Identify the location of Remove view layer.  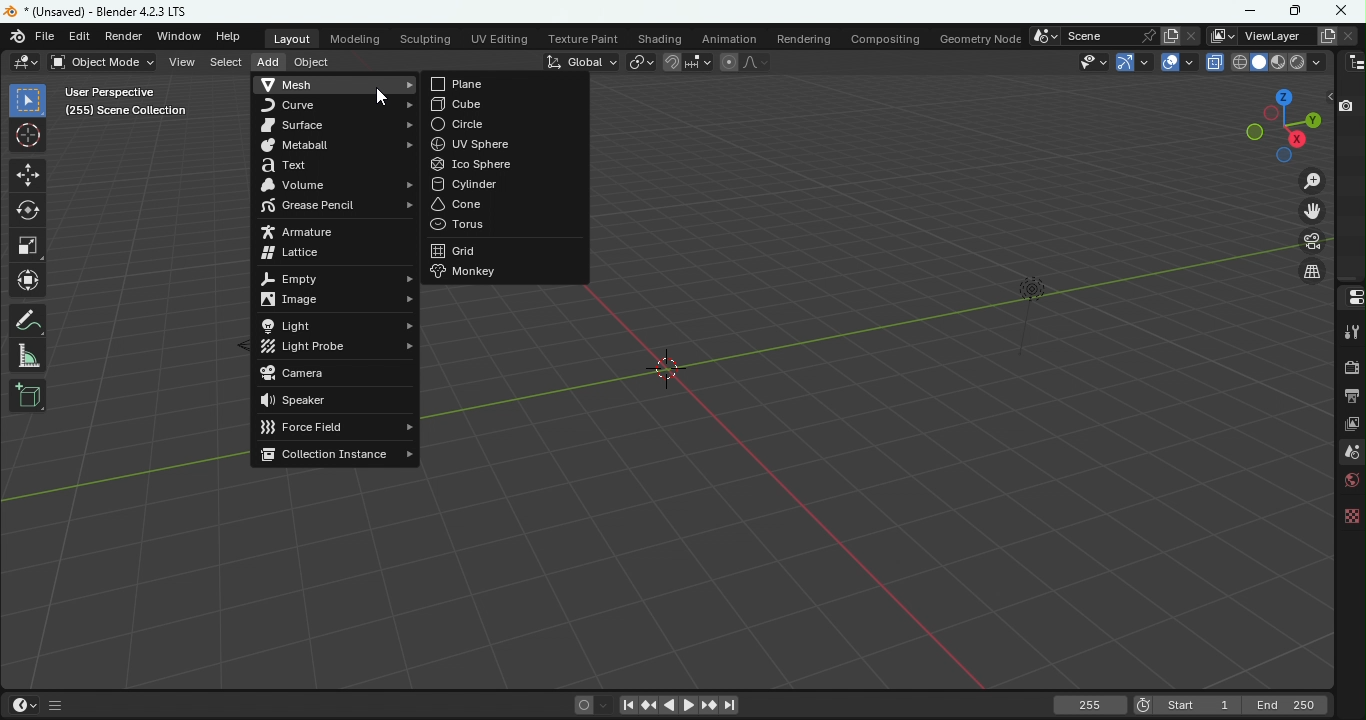
(1348, 35).